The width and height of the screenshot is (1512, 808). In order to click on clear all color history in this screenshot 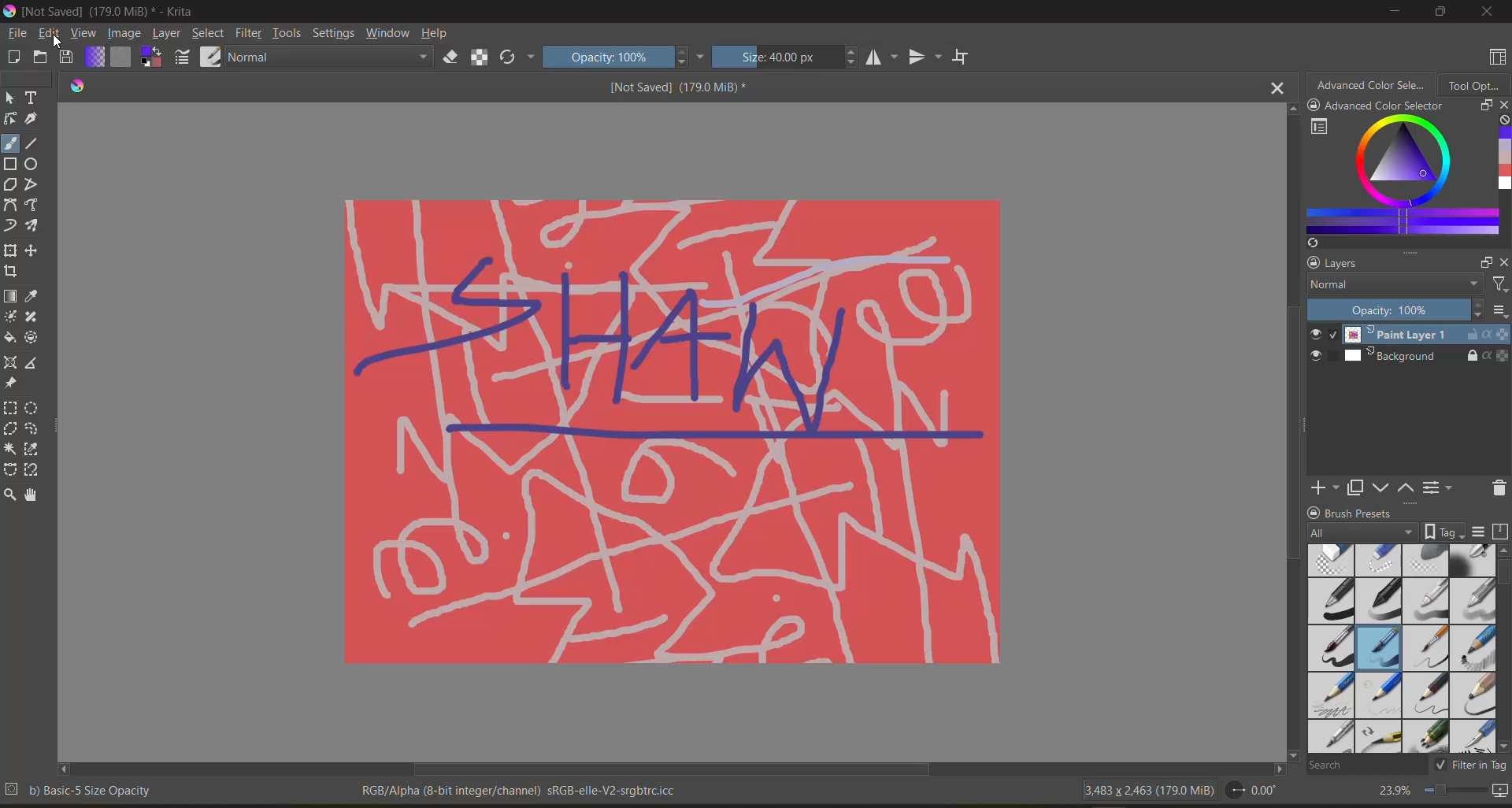, I will do `click(1503, 122)`.